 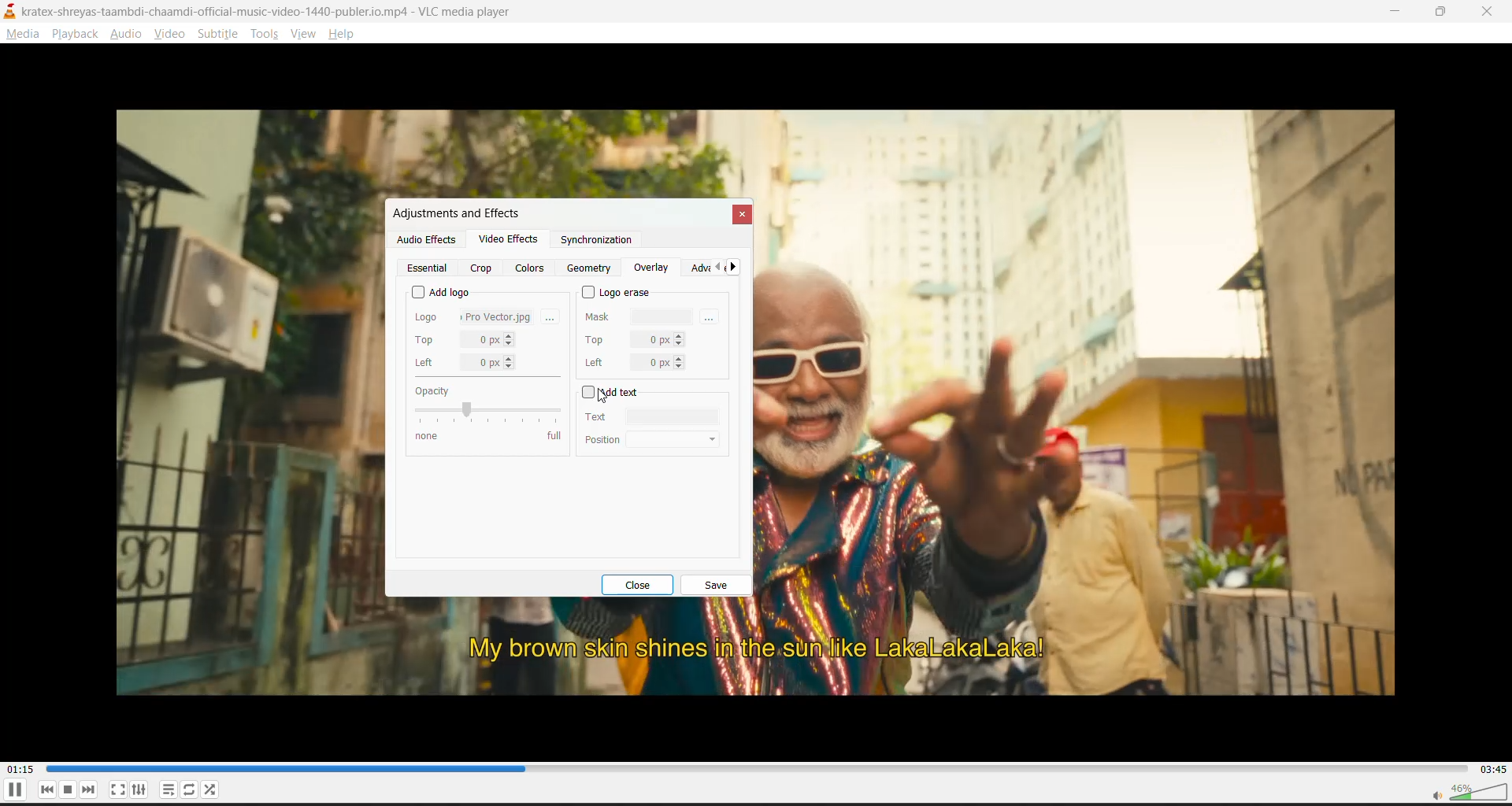 What do you see at coordinates (640, 315) in the screenshot?
I see `mask` at bounding box center [640, 315].